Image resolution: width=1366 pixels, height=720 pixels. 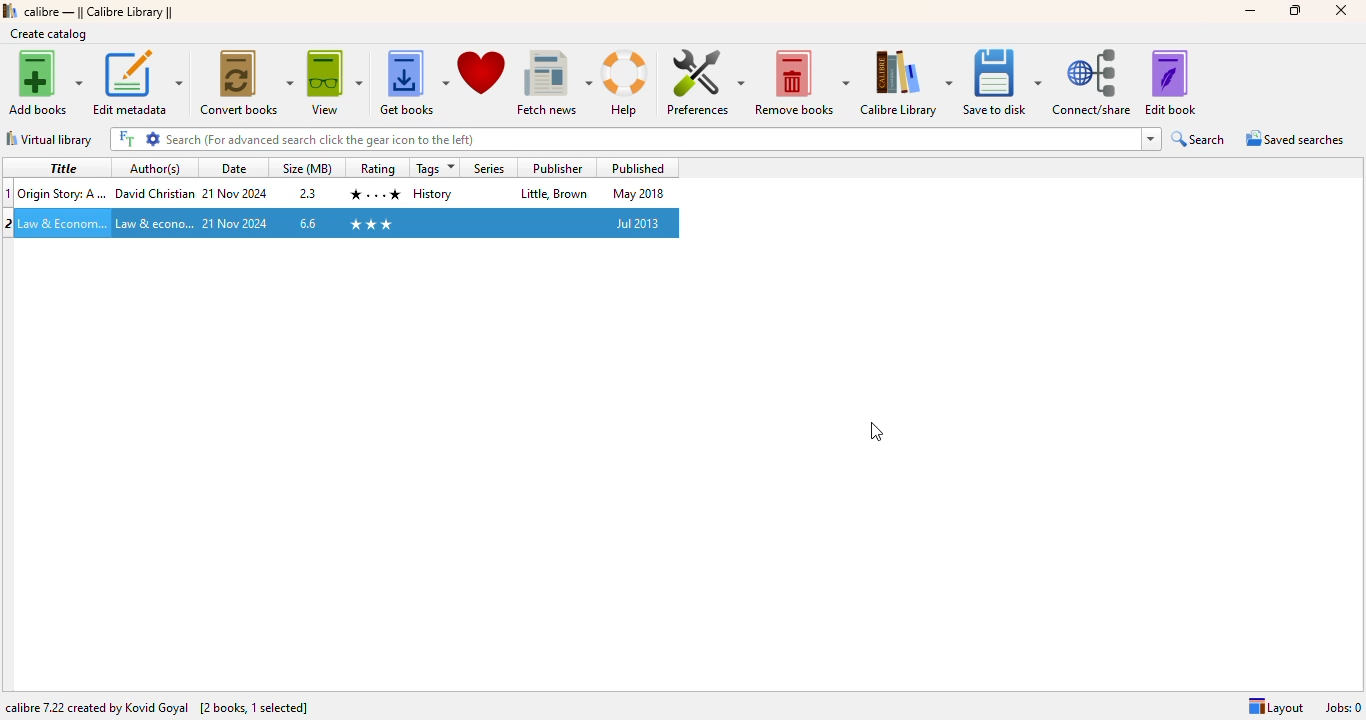 What do you see at coordinates (137, 81) in the screenshot?
I see `edit metadata` at bounding box center [137, 81].